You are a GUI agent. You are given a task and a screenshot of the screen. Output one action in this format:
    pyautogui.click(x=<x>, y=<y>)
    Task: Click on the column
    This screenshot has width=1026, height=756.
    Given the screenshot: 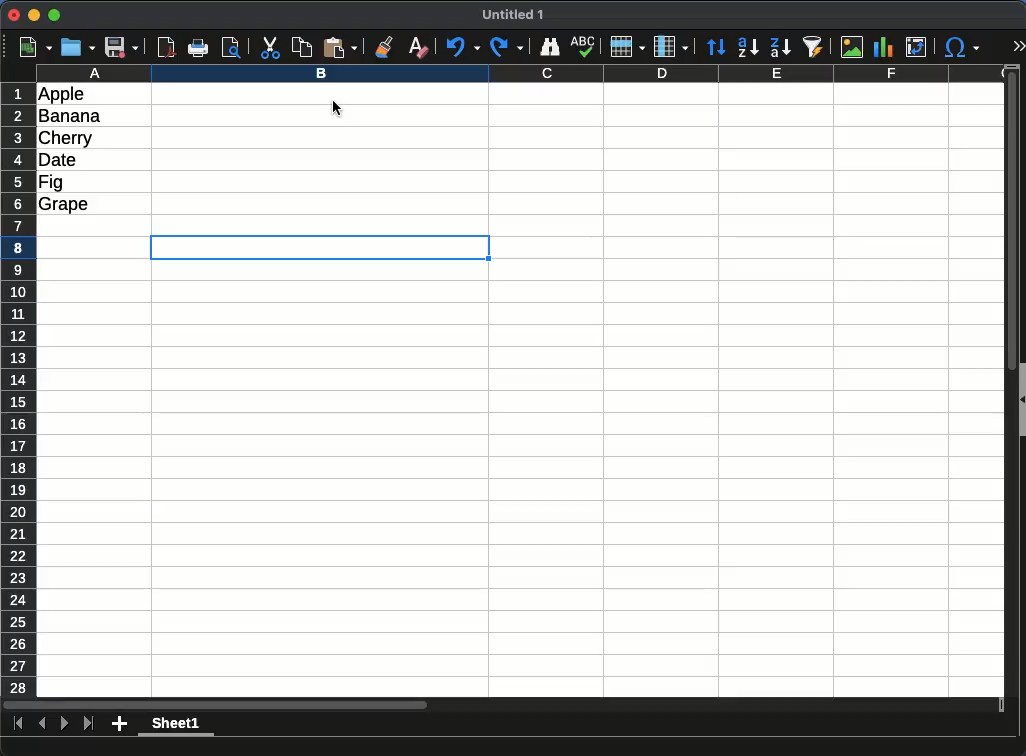 What is the action you would take?
    pyautogui.click(x=521, y=73)
    